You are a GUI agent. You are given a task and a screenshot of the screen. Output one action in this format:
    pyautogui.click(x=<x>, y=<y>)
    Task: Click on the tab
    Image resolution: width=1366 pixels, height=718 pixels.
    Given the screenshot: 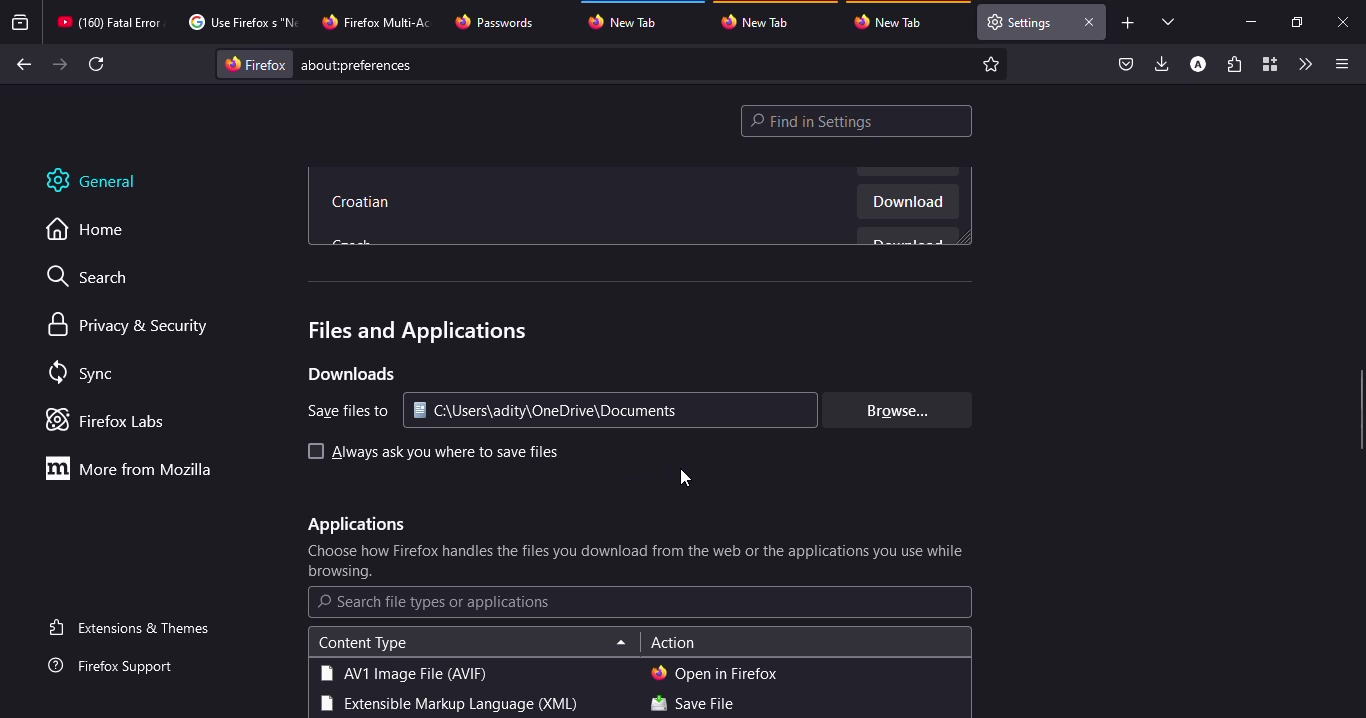 What is the action you would take?
    pyautogui.click(x=894, y=22)
    